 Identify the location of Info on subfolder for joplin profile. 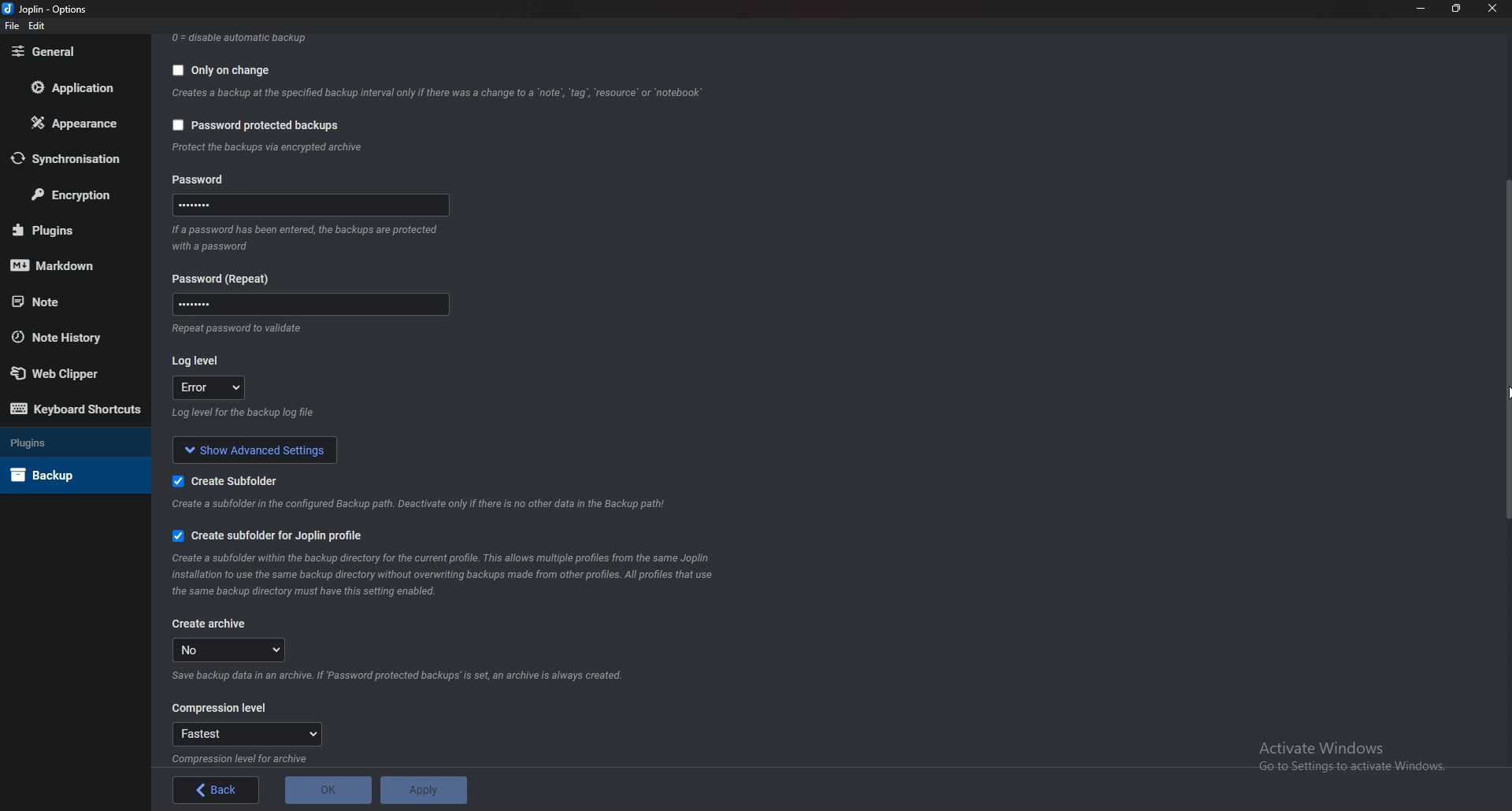
(447, 576).